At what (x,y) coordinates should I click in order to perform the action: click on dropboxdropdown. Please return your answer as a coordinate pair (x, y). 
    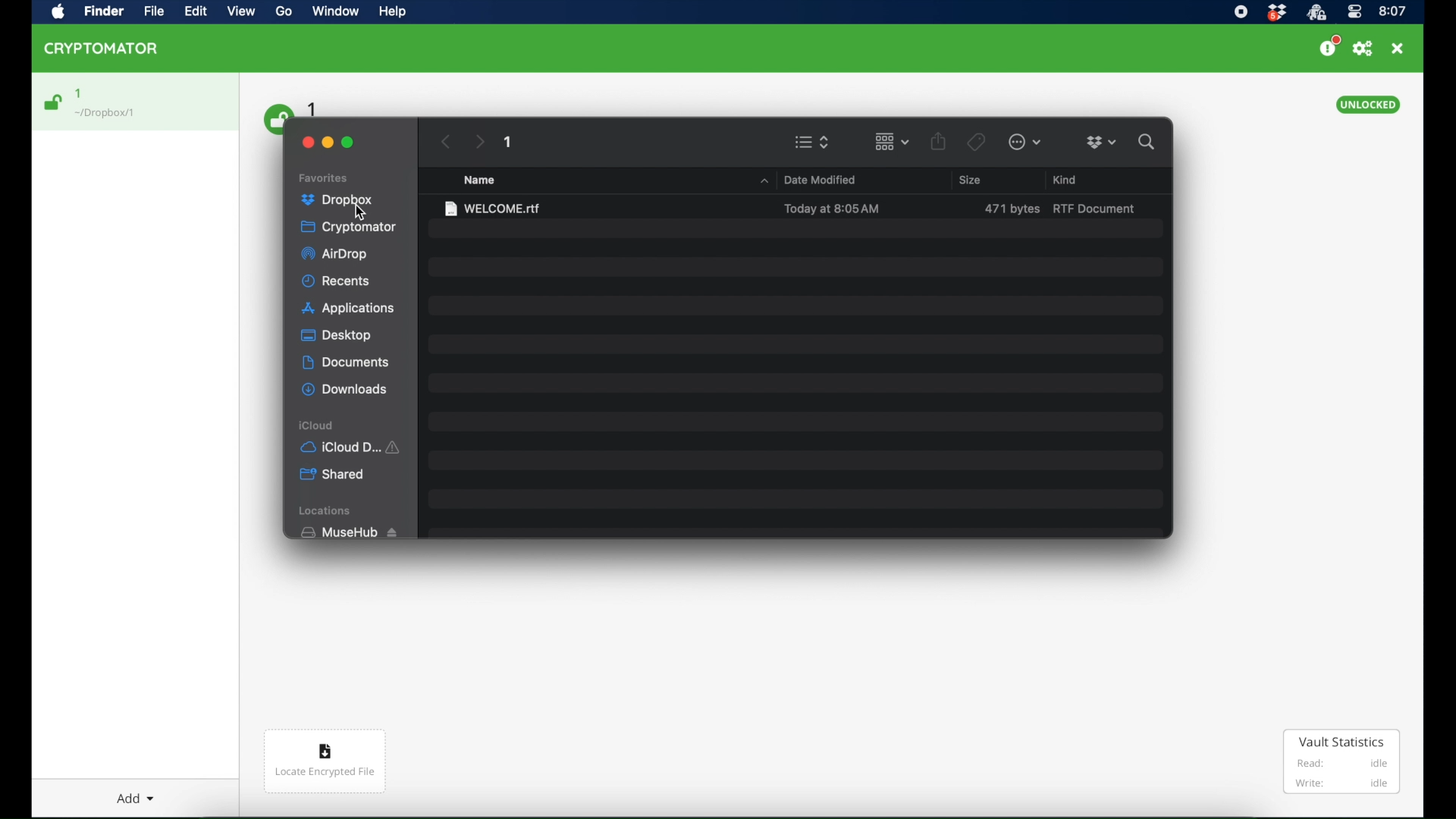
    Looking at the image, I should click on (1101, 143).